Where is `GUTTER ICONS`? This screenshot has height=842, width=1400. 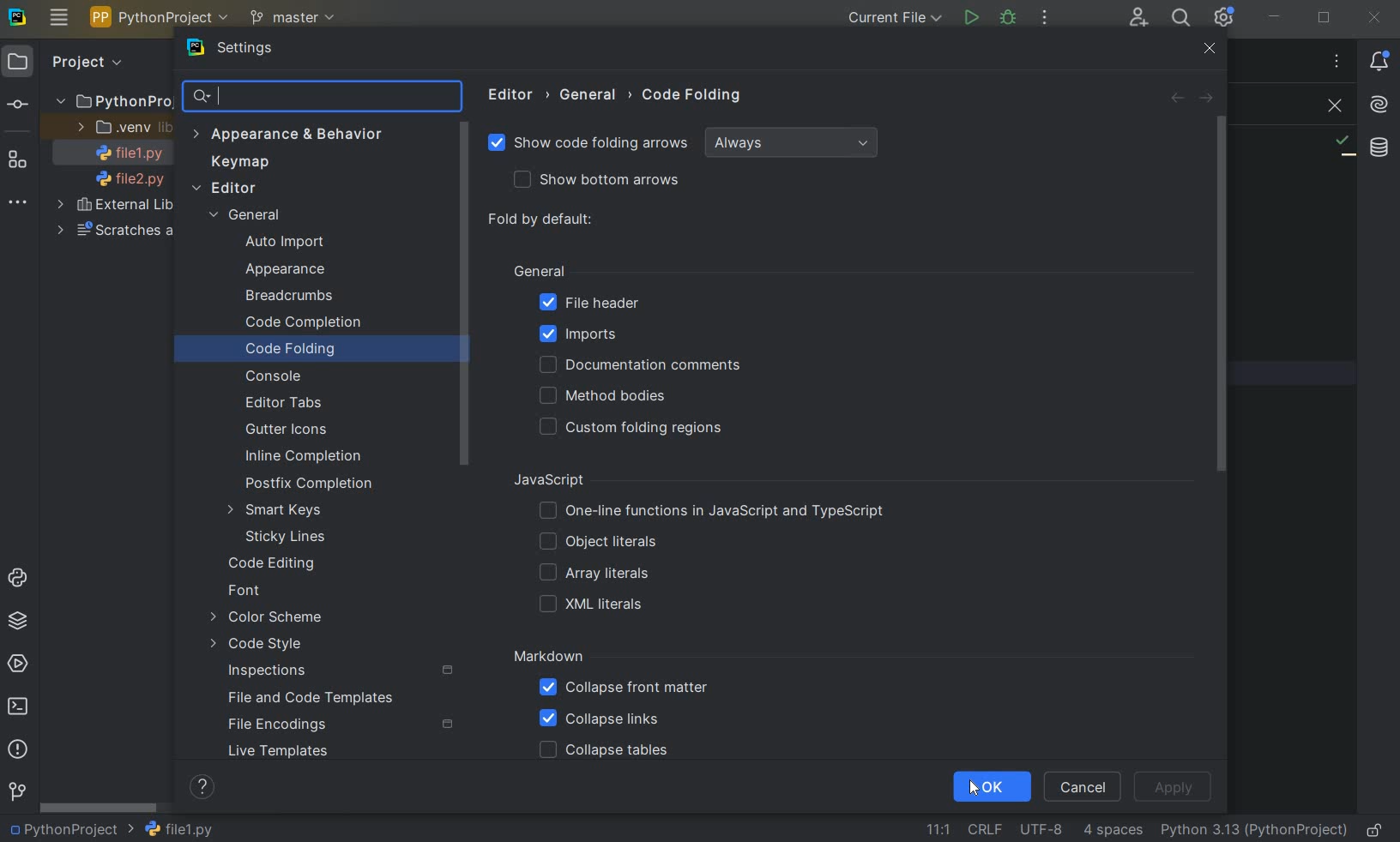
GUTTER ICONS is located at coordinates (291, 430).